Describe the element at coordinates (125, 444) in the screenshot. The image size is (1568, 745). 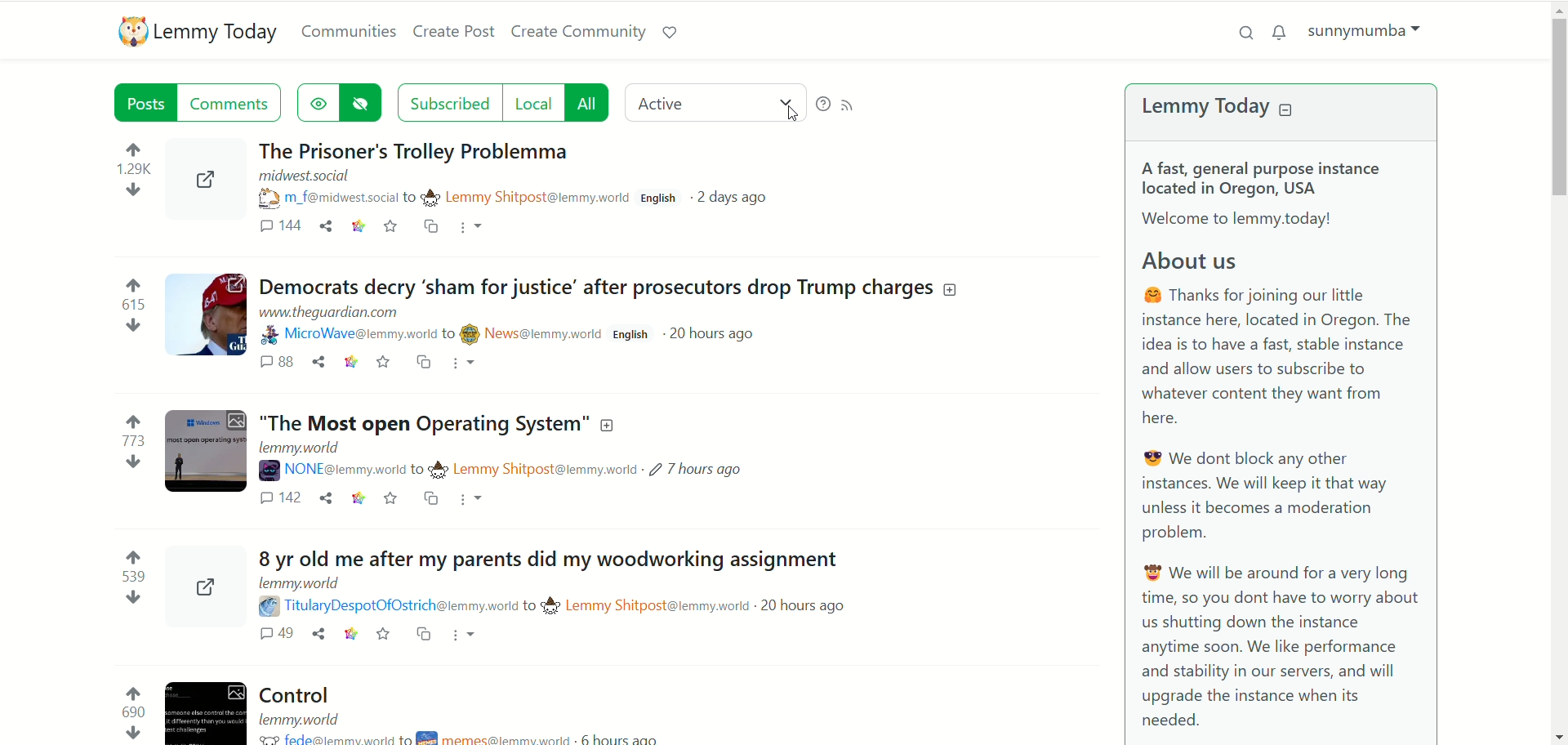
I see `votes` at that location.